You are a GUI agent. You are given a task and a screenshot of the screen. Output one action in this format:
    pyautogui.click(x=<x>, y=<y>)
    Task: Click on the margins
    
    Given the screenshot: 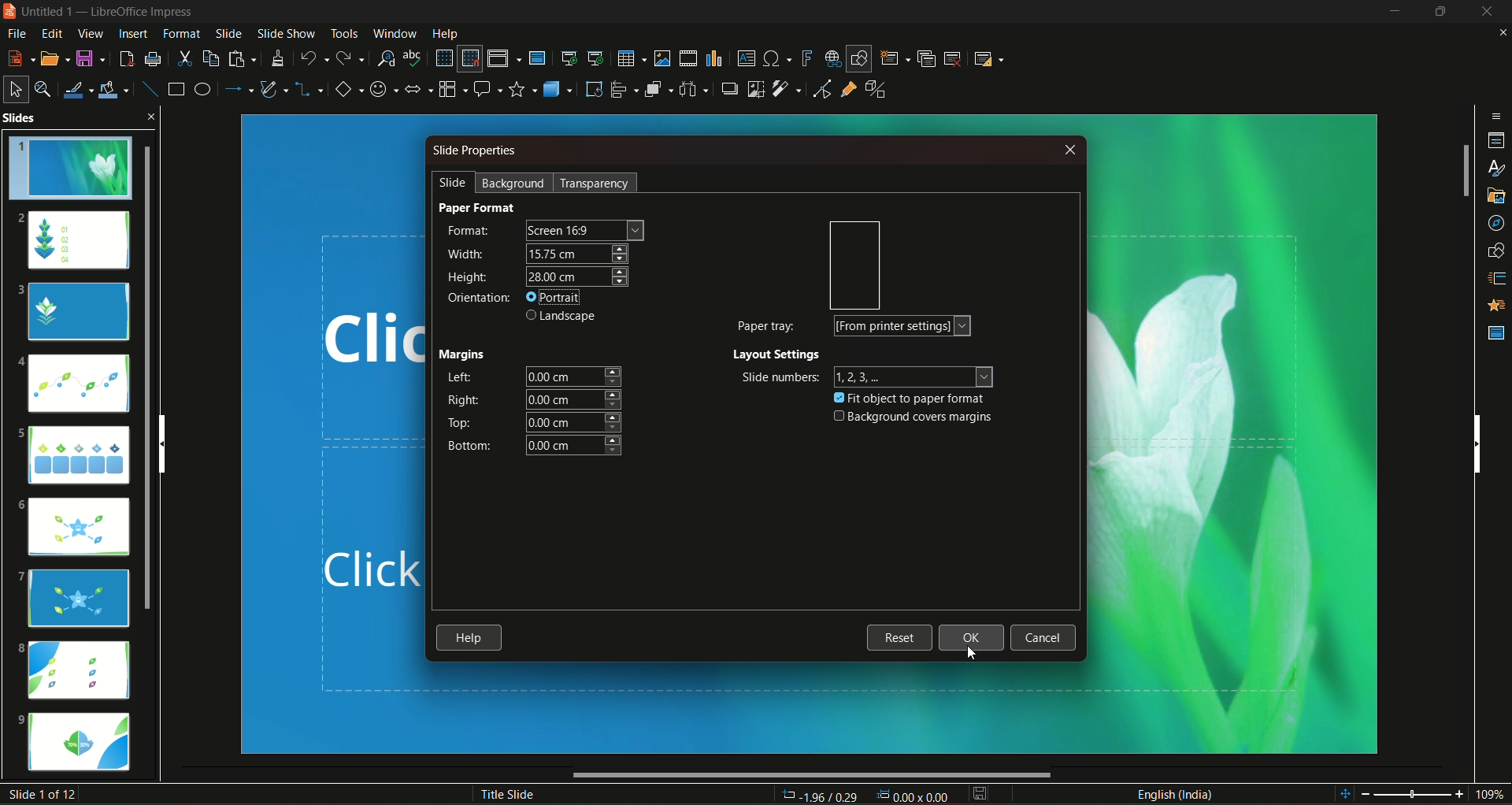 What is the action you would take?
    pyautogui.click(x=466, y=351)
    